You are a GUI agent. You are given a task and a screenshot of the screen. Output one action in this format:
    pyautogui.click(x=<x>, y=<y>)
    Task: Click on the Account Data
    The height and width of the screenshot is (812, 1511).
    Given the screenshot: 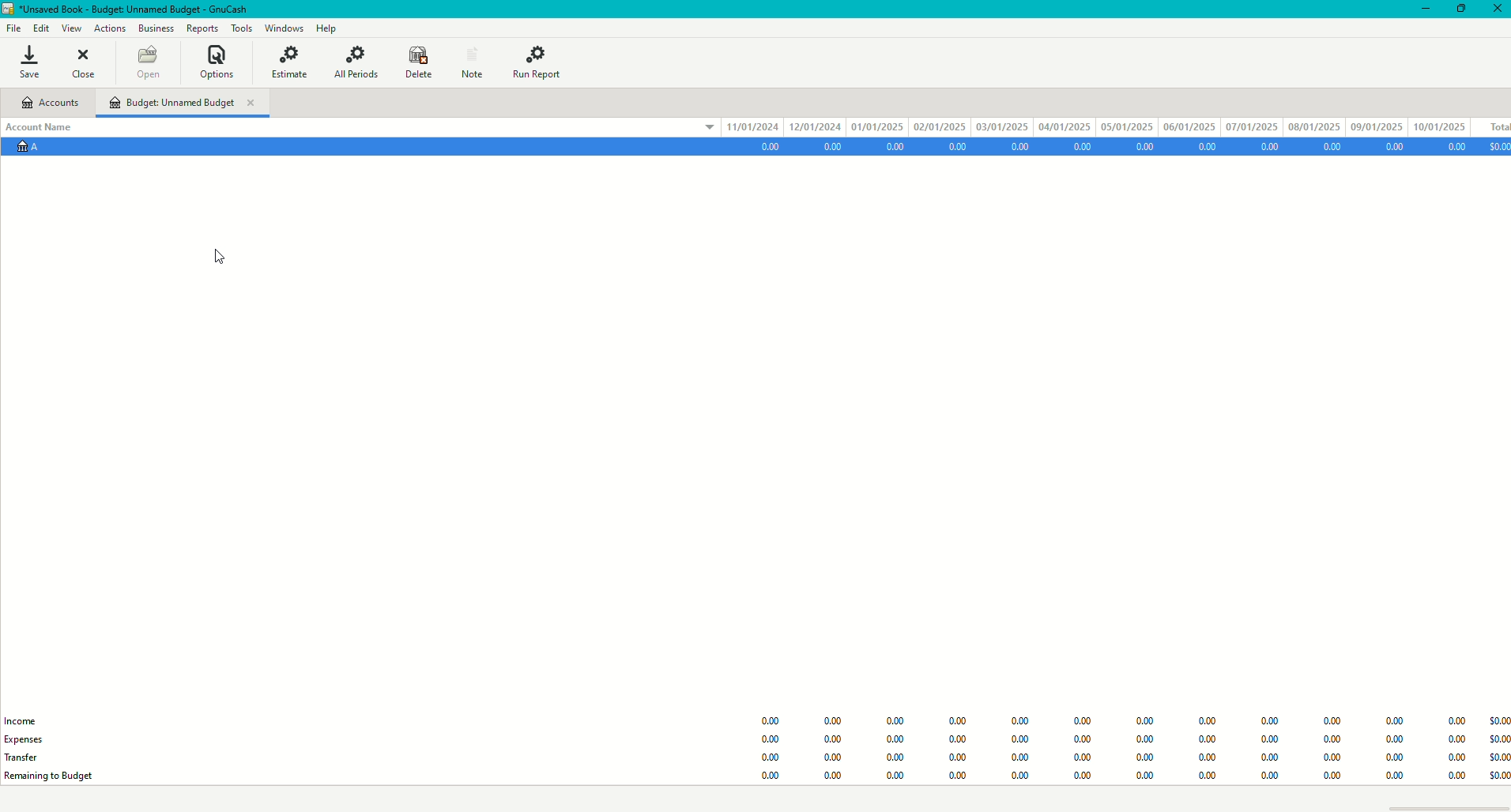 What is the action you would take?
    pyautogui.click(x=1131, y=147)
    